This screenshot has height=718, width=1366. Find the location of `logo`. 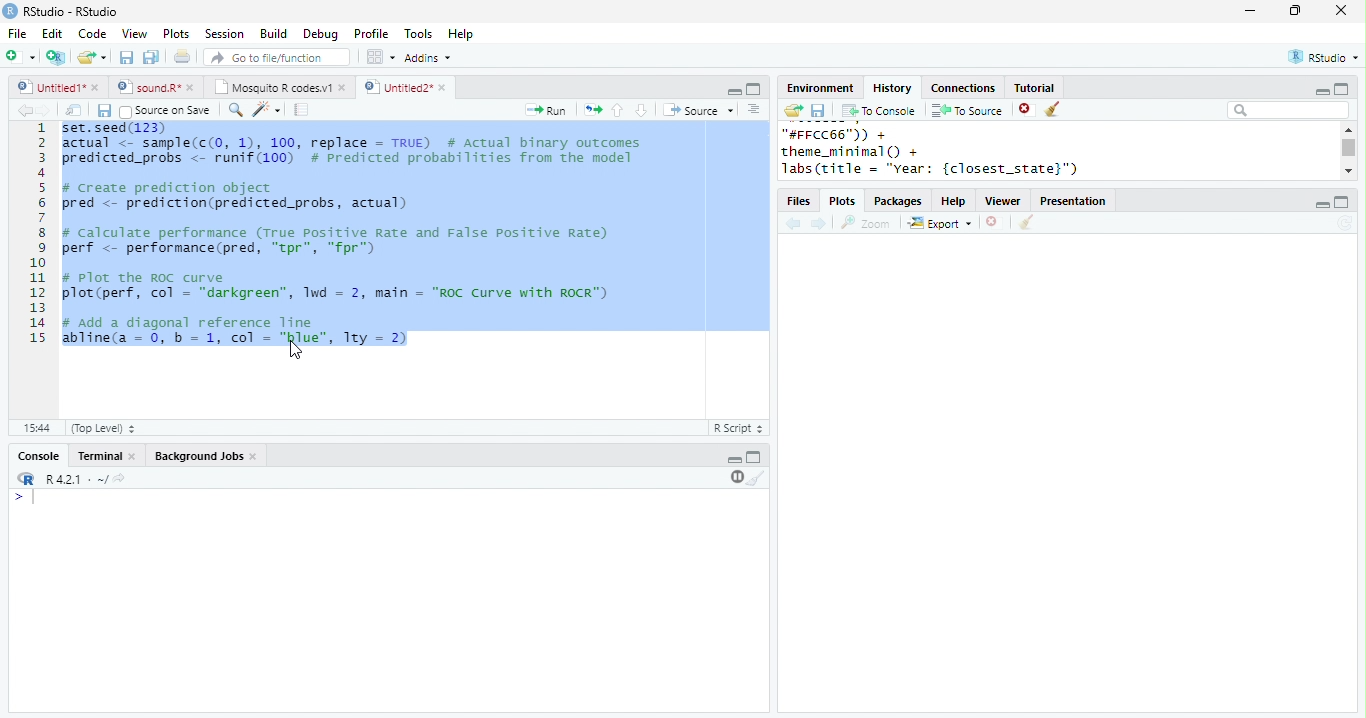

logo is located at coordinates (10, 10).